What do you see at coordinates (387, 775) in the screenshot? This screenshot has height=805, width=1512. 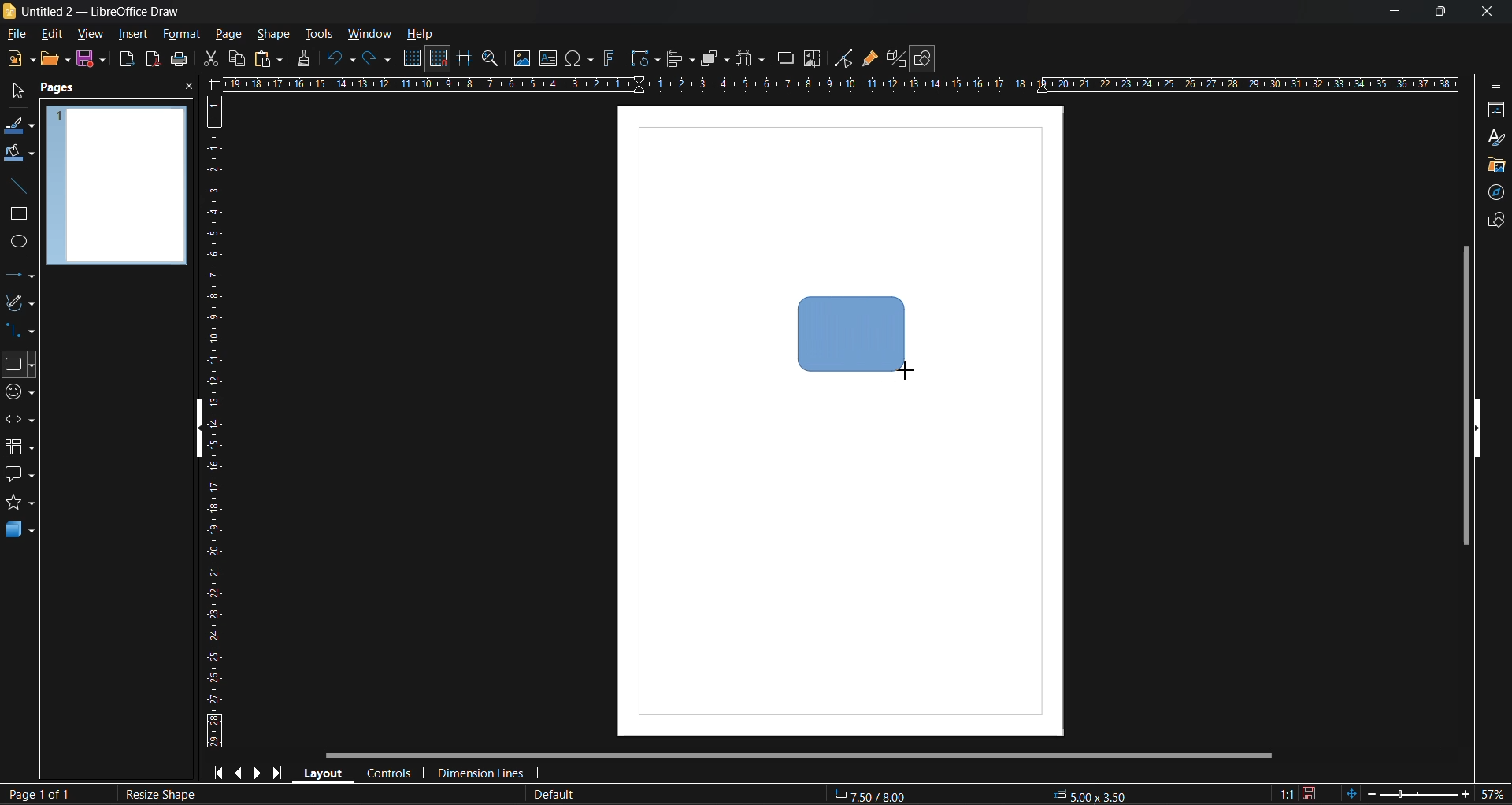 I see `controls` at bounding box center [387, 775].